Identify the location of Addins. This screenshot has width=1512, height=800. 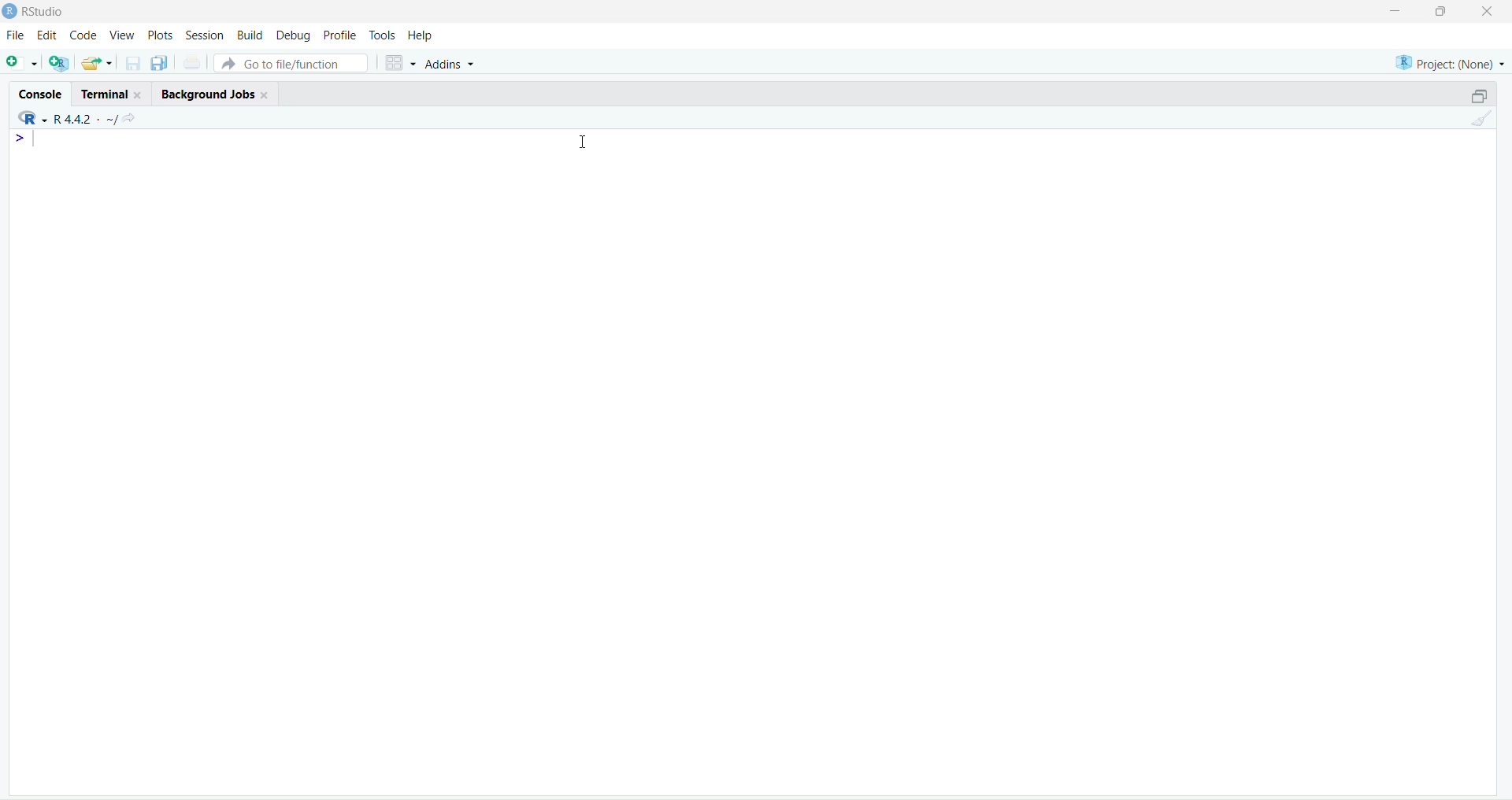
(450, 65).